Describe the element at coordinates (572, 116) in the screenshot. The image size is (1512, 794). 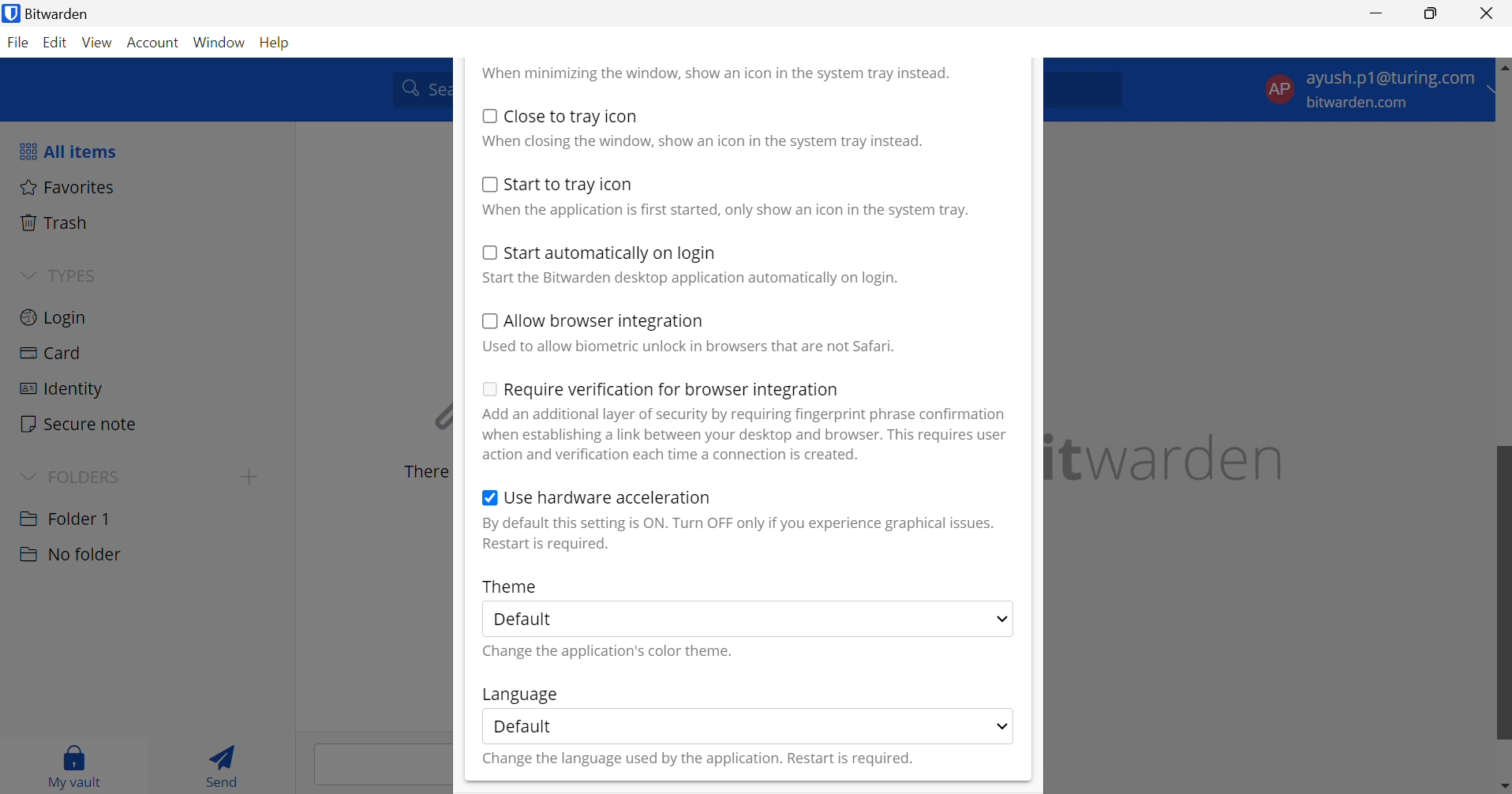
I see `Close to tray icon` at that location.